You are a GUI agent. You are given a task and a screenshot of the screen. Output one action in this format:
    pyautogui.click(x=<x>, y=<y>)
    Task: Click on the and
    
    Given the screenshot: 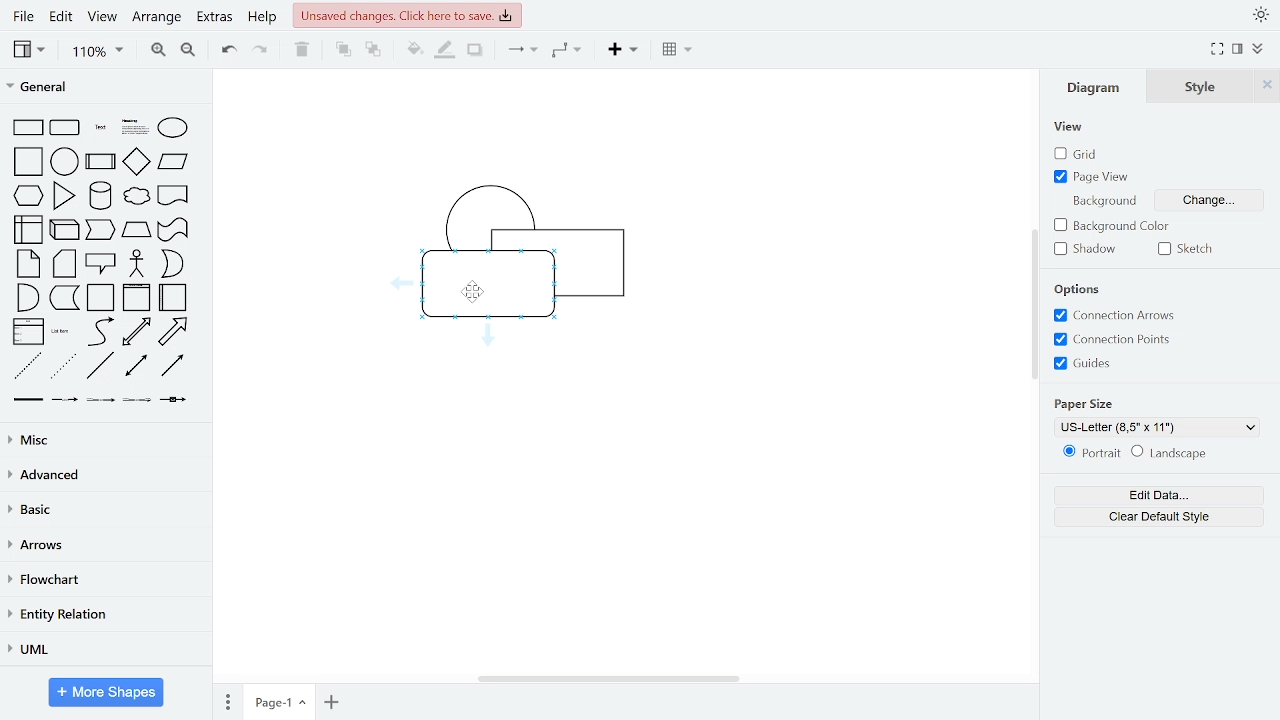 What is the action you would take?
    pyautogui.click(x=27, y=297)
    